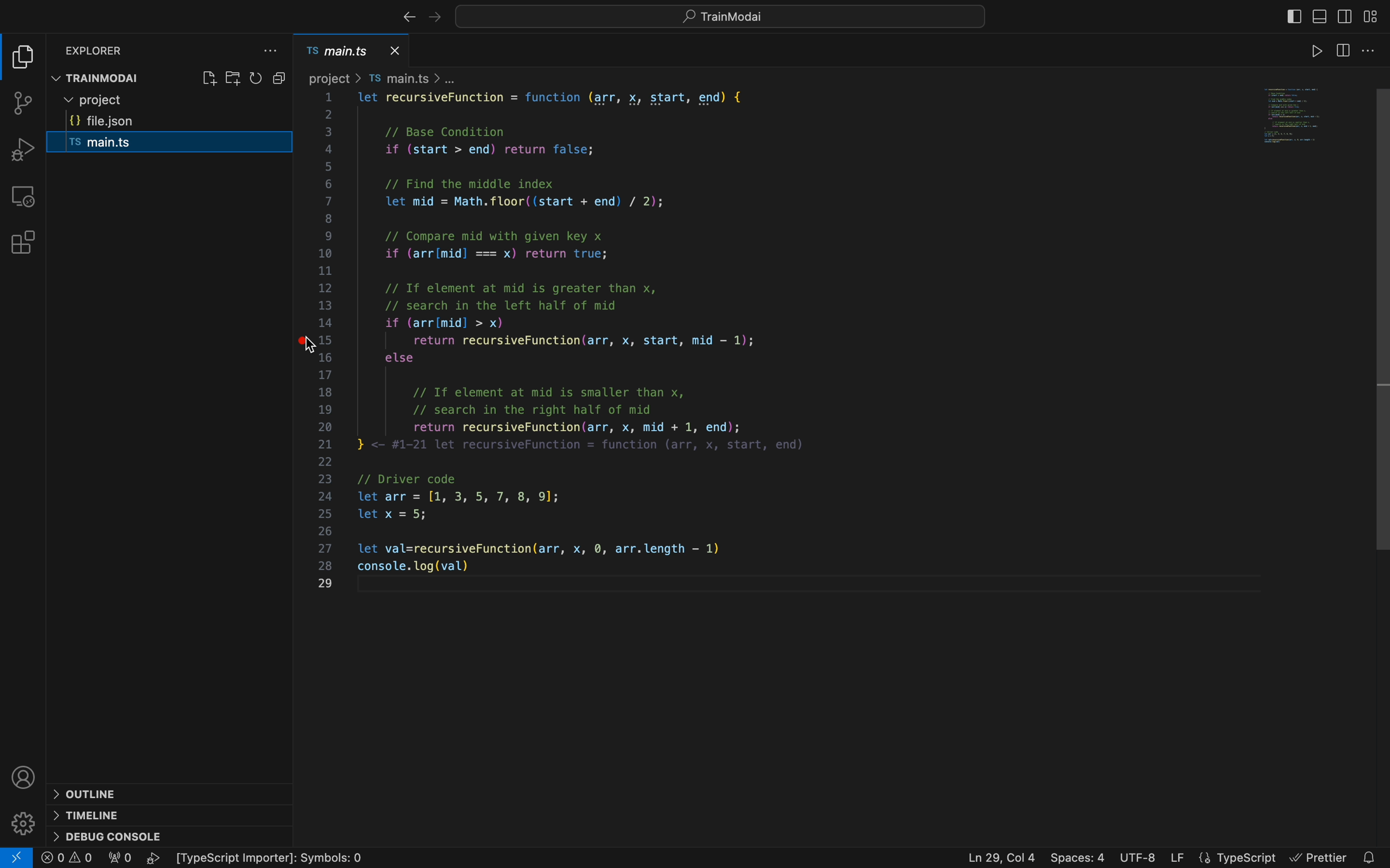 The width and height of the screenshot is (1390, 868). What do you see at coordinates (1139, 855) in the screenshot?
I see `UTF-8` at bounding box center [1139, 855].